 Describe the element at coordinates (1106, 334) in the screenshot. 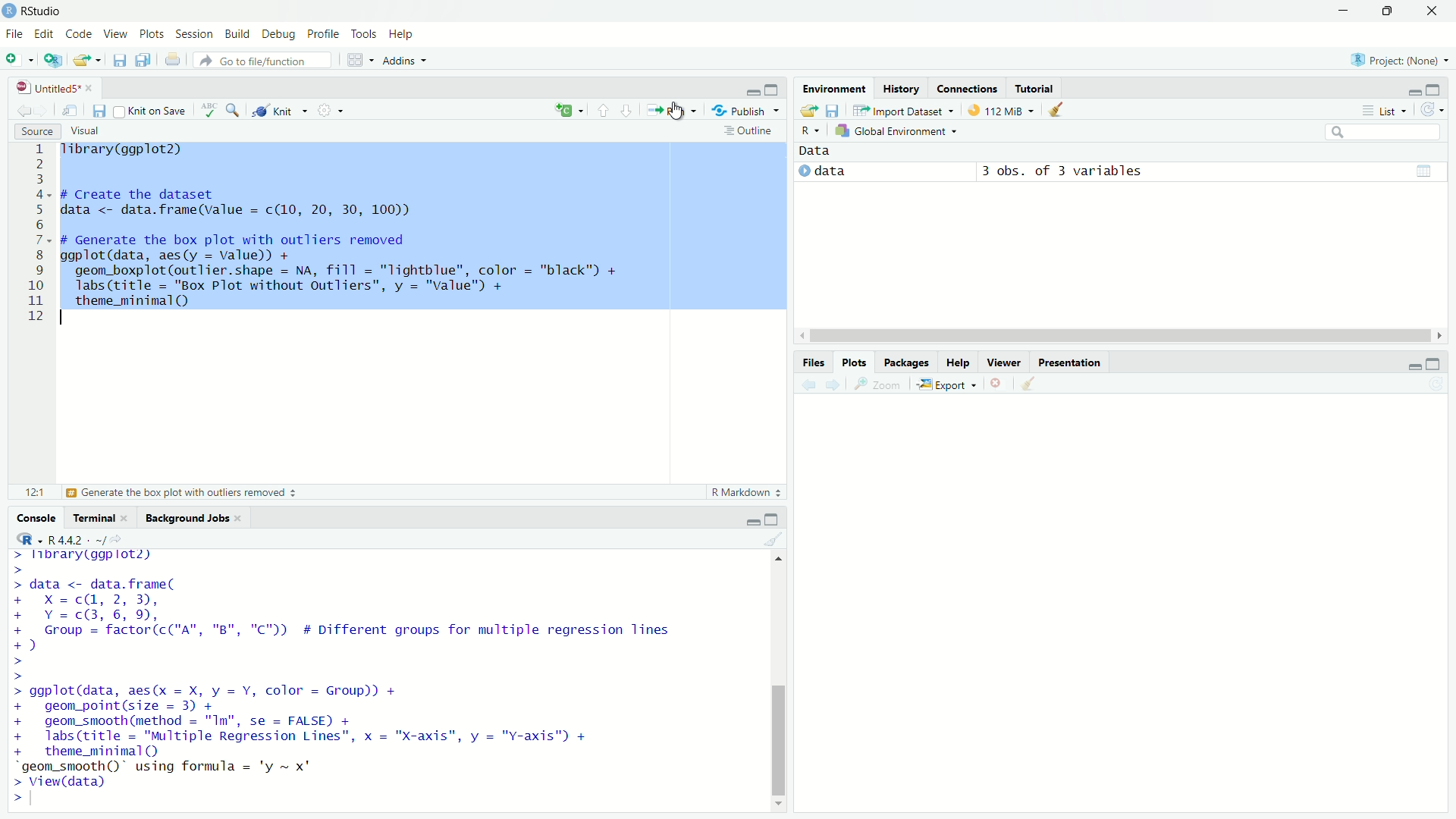

I see `scroll bar` at that location.